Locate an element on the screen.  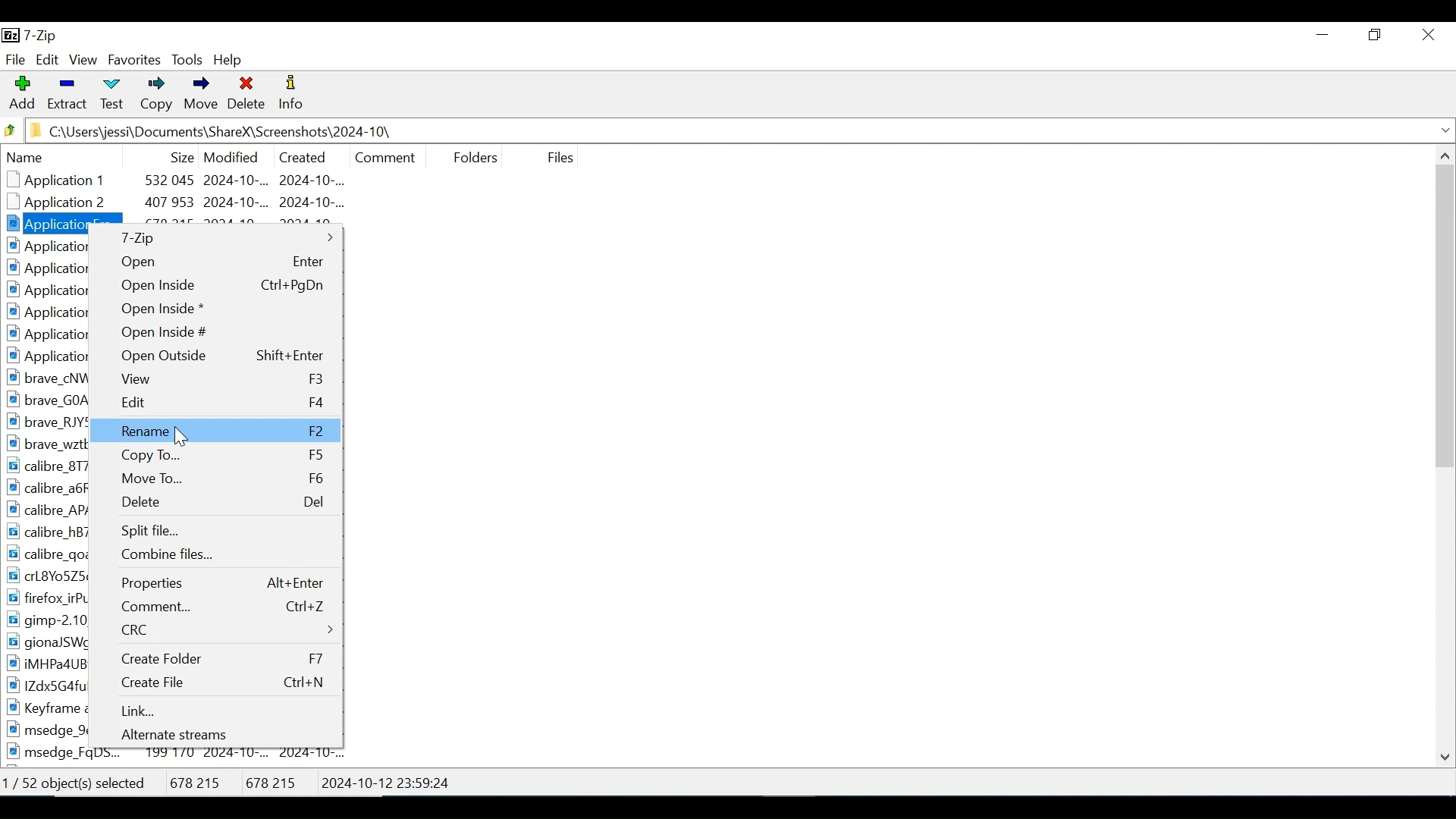
Application 1 532 045 2024-10-.. 2024-10-... is located at coordinates (195, 180).